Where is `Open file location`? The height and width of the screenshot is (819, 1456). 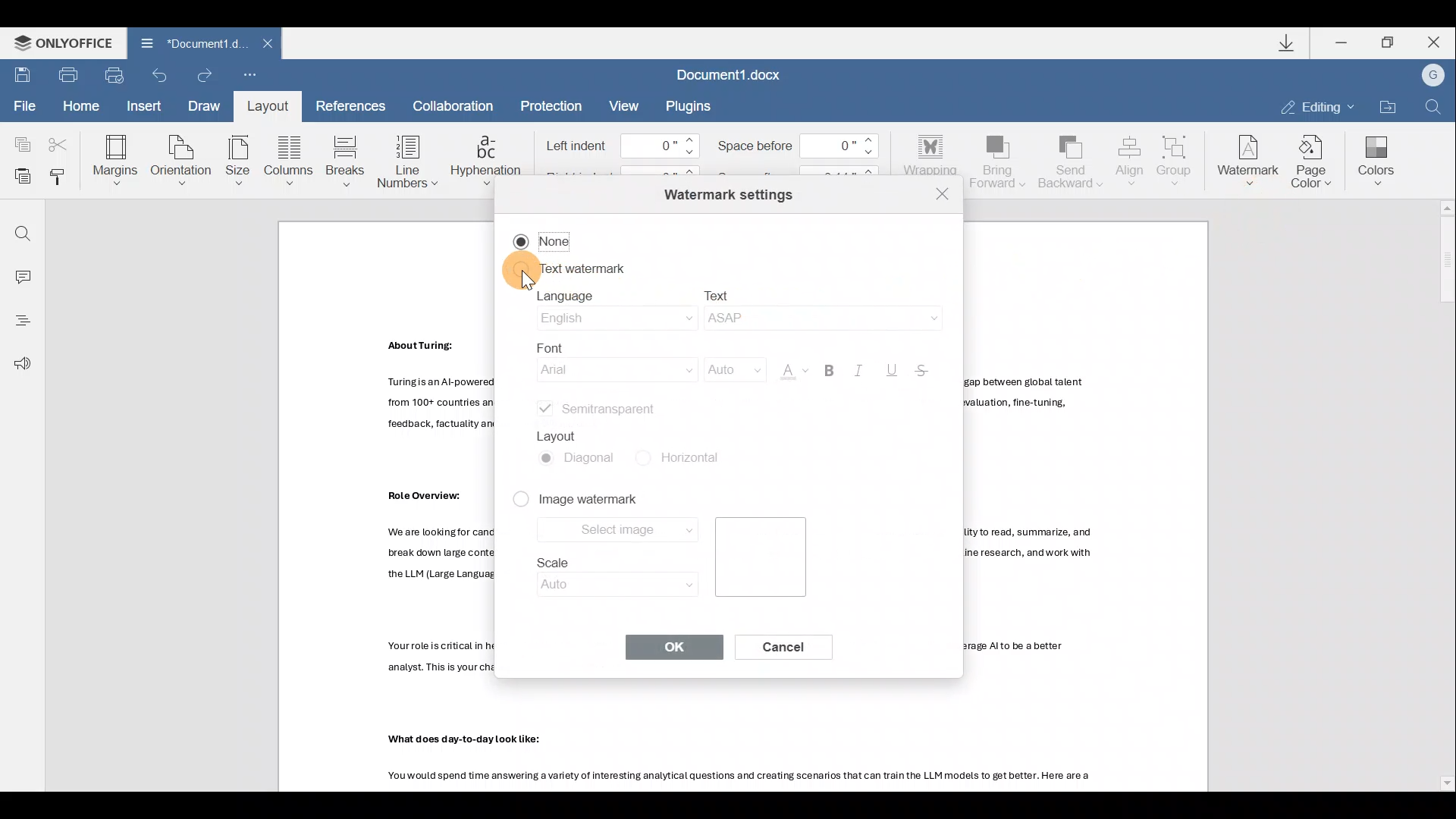 Open file location is located at coordinates (1385, 102).